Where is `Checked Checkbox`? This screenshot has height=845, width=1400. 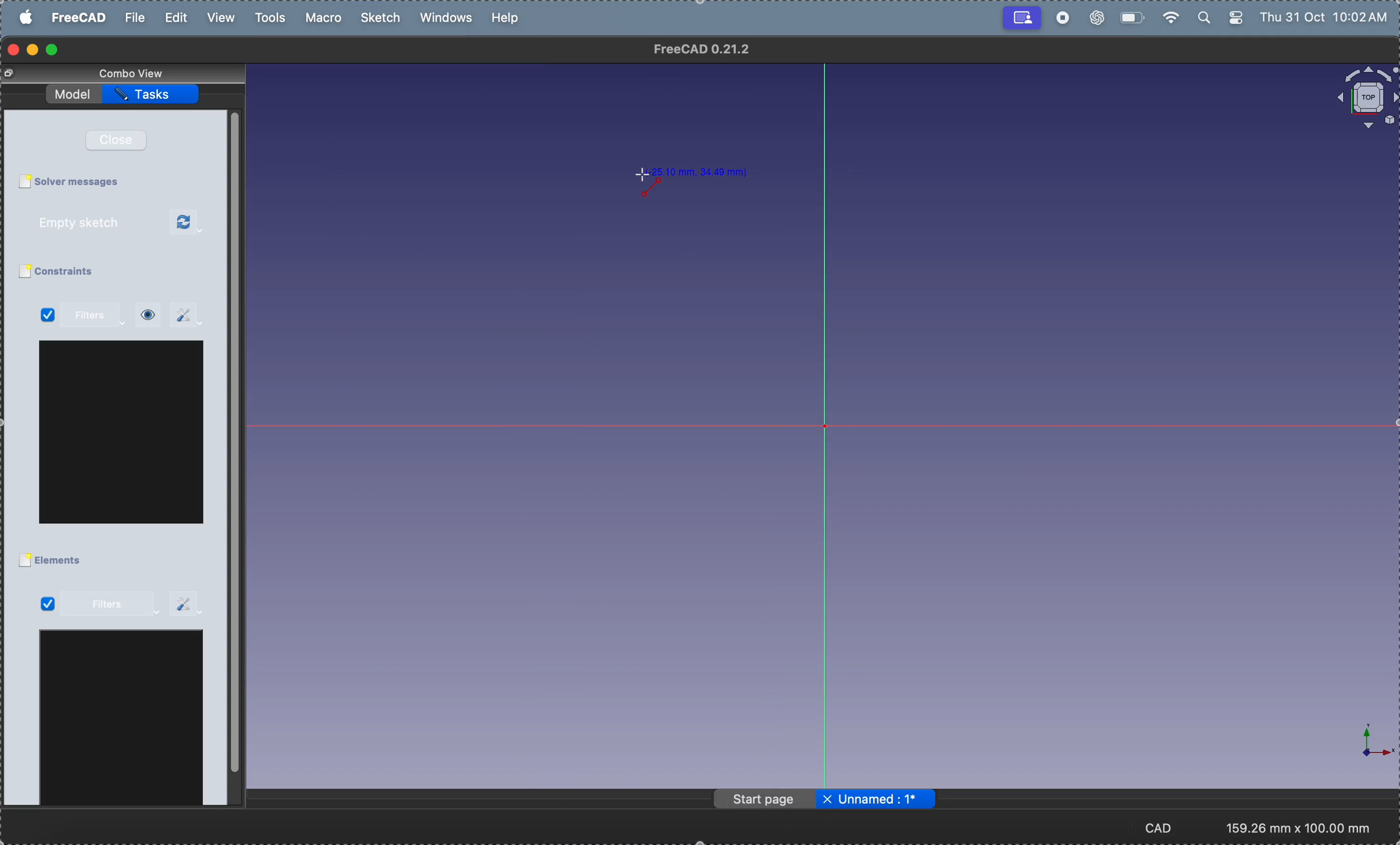
Checked Checkbox is located at coordinates (47, 604).